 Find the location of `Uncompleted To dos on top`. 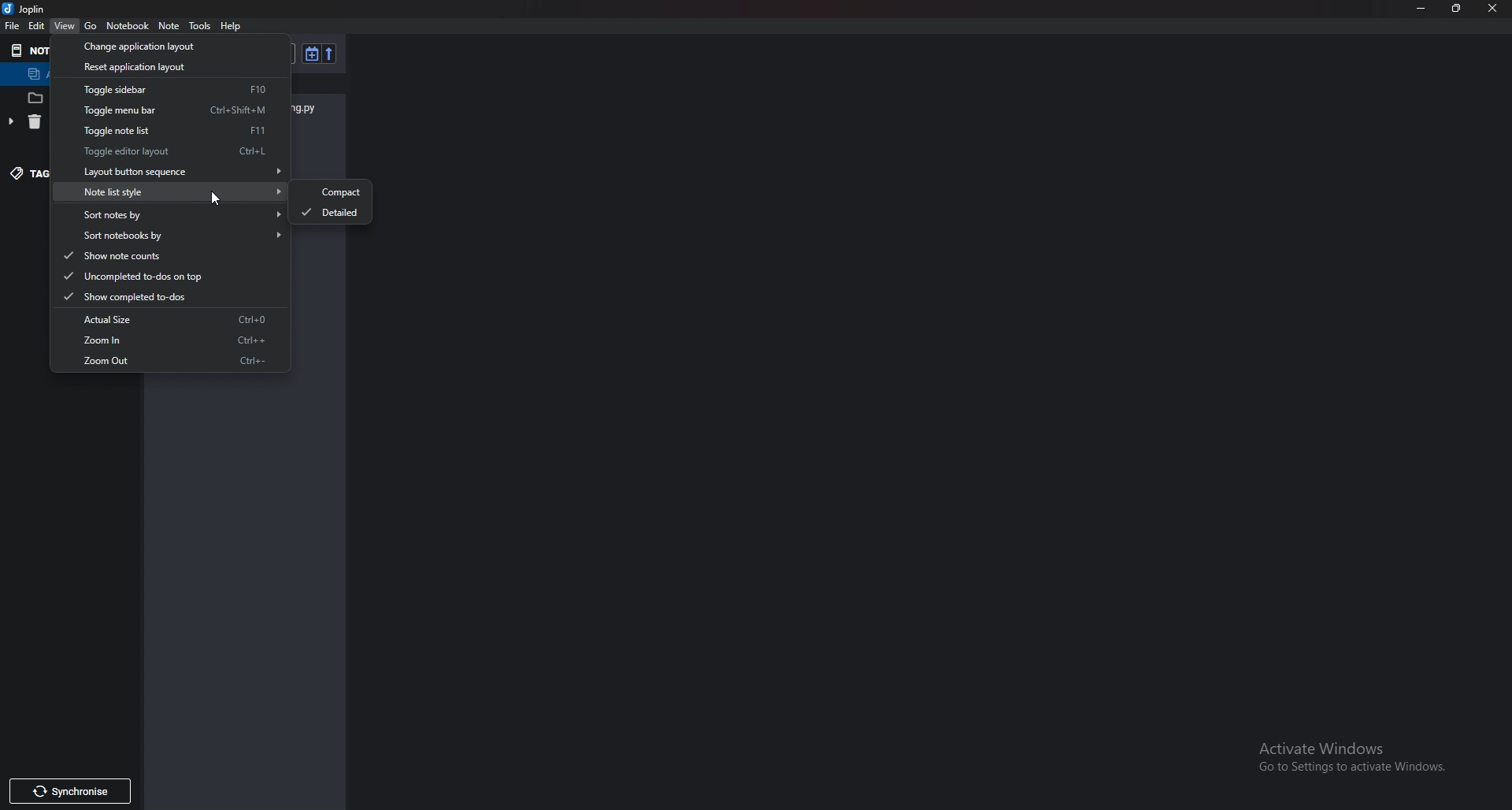

Uncompleted To dos on top is located at coordinates (165, 276).